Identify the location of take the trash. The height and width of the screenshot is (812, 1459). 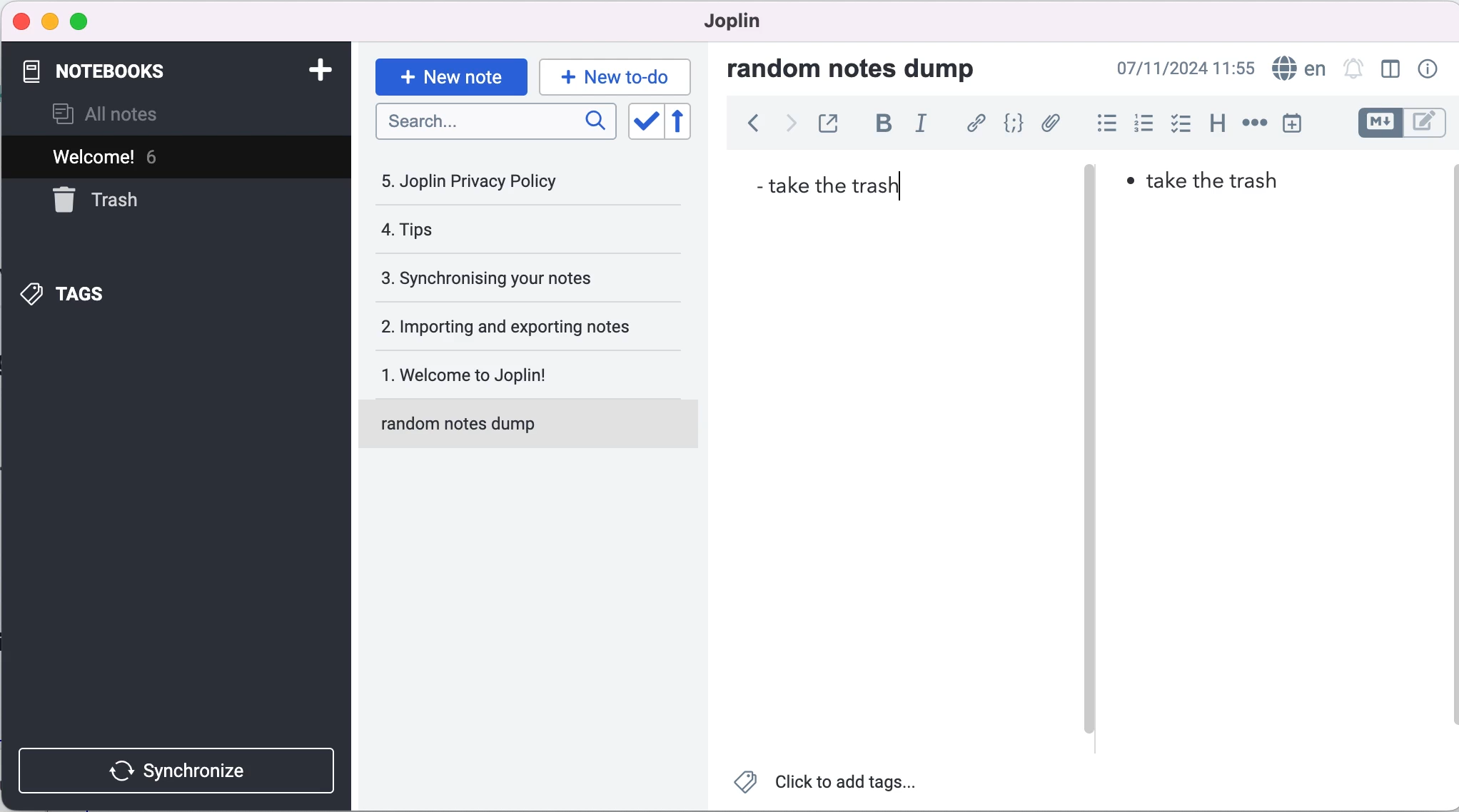
(1223, 186).